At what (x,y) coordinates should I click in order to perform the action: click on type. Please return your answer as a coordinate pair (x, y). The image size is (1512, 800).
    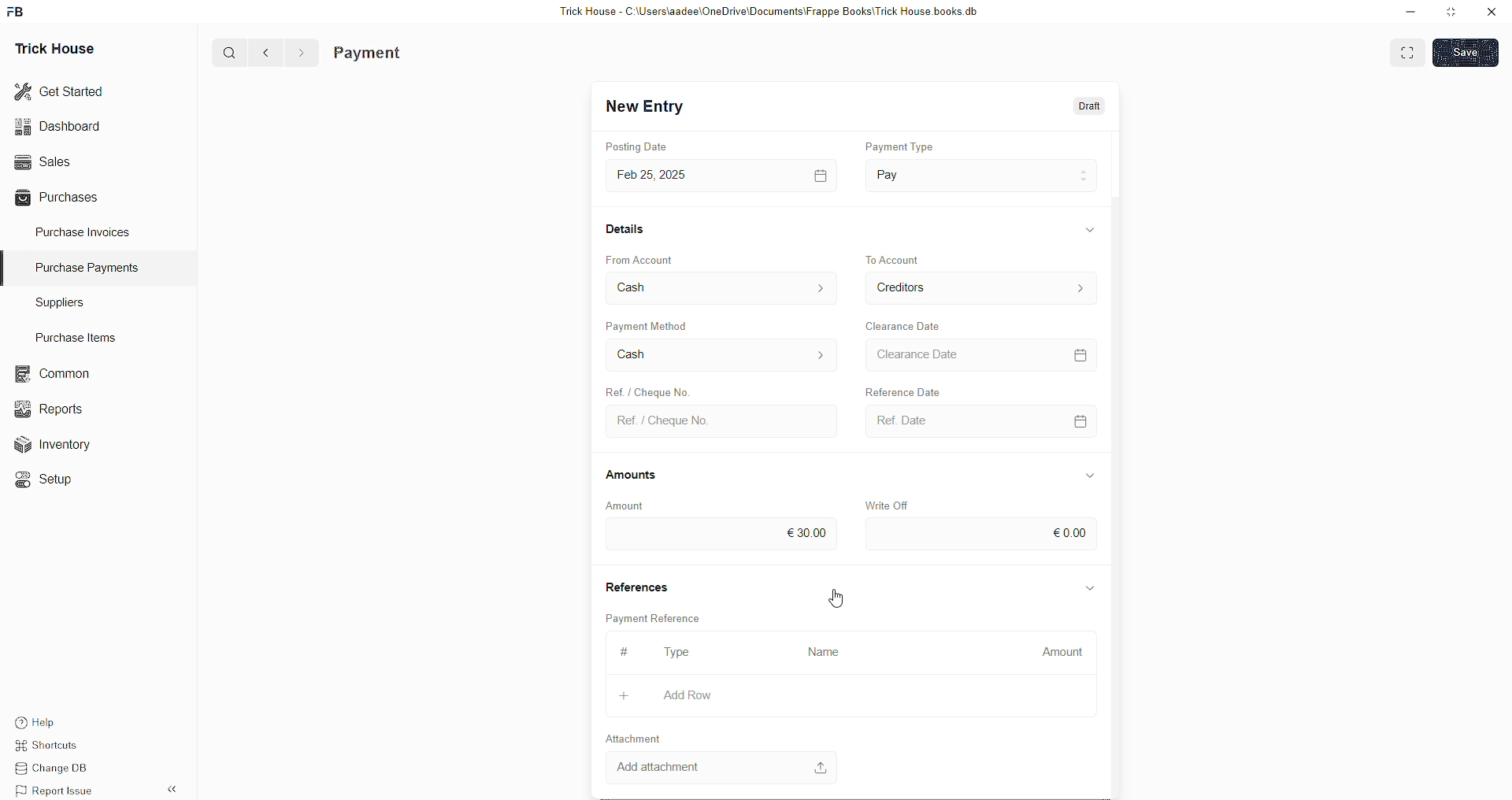
    Looking at the image, I should click on (670, 652).